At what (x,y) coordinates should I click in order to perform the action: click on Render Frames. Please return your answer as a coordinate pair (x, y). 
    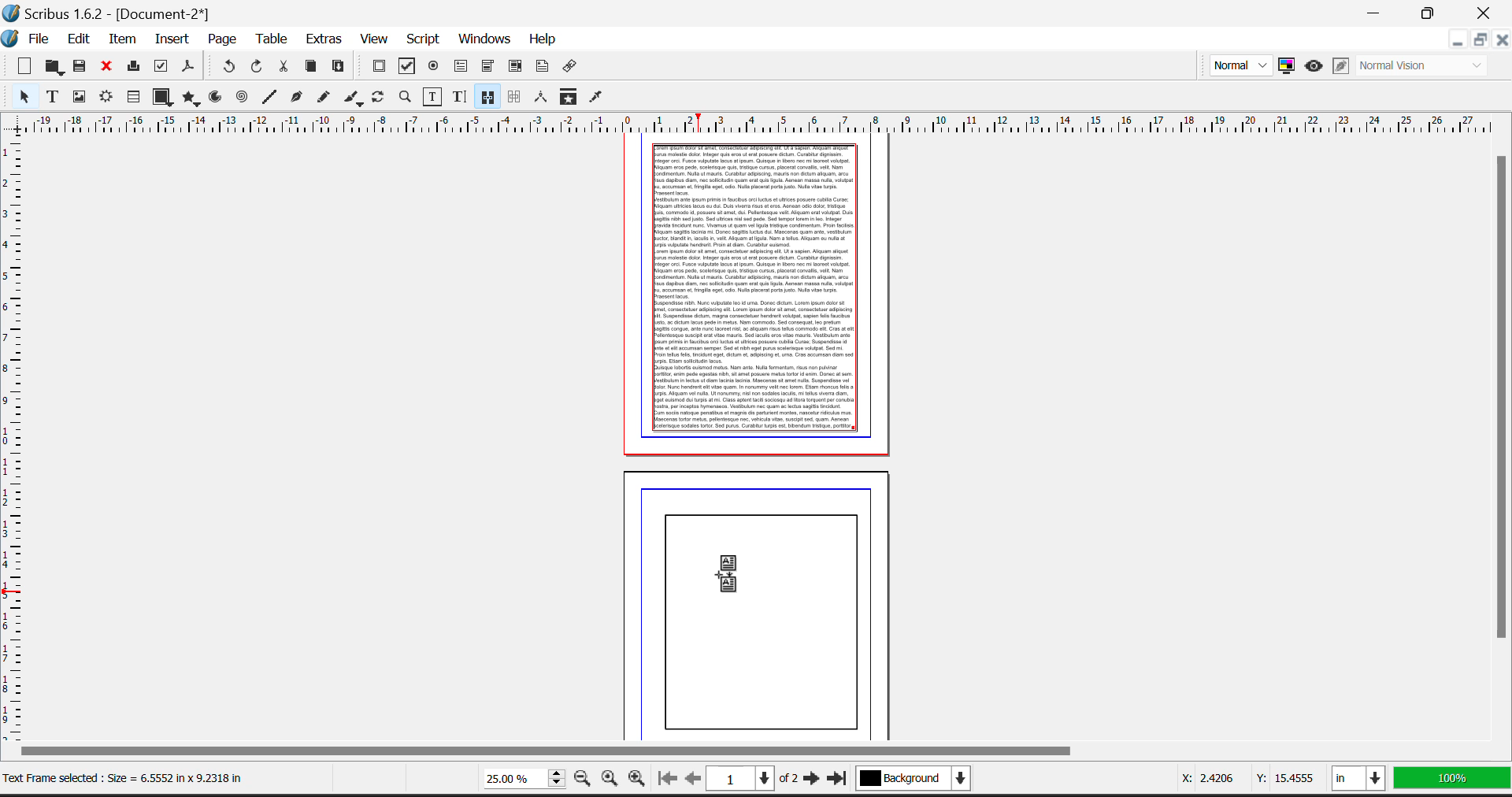
    Looking at the image, I should click on (108, 98).